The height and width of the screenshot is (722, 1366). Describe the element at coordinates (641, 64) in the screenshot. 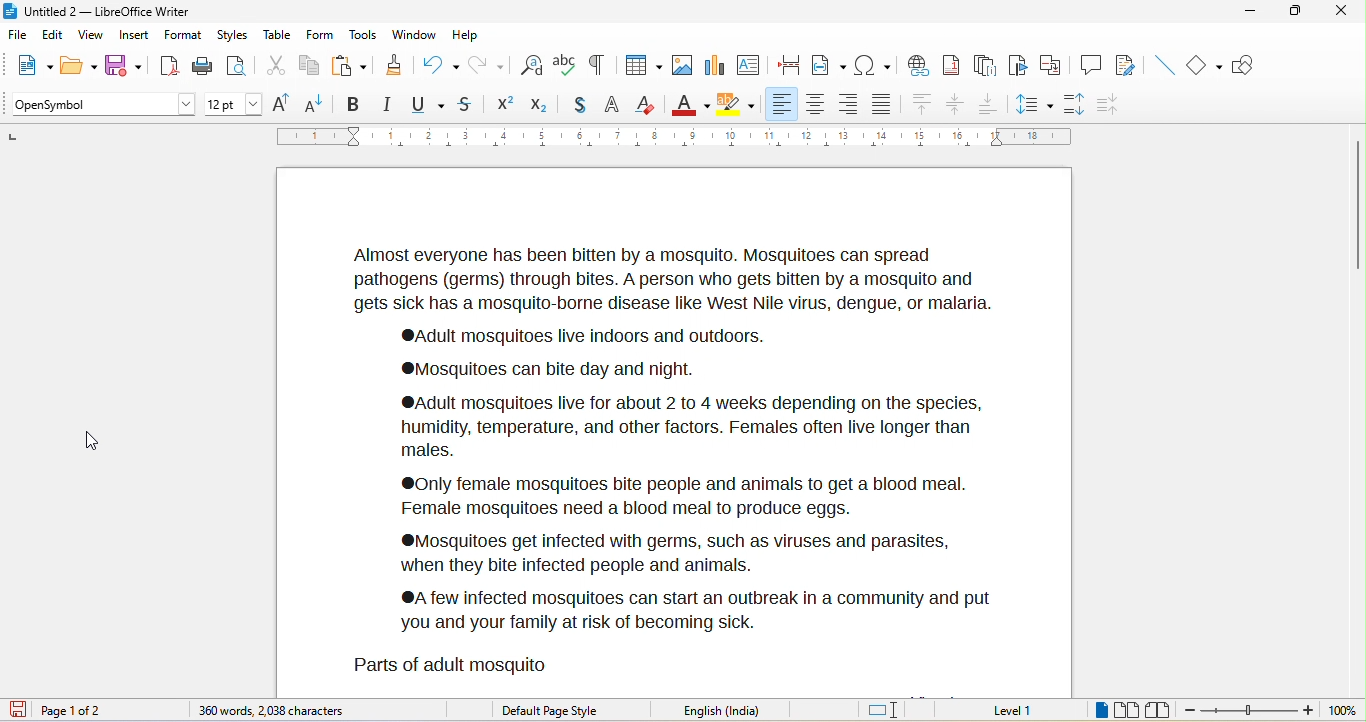

I see `table` at that location.